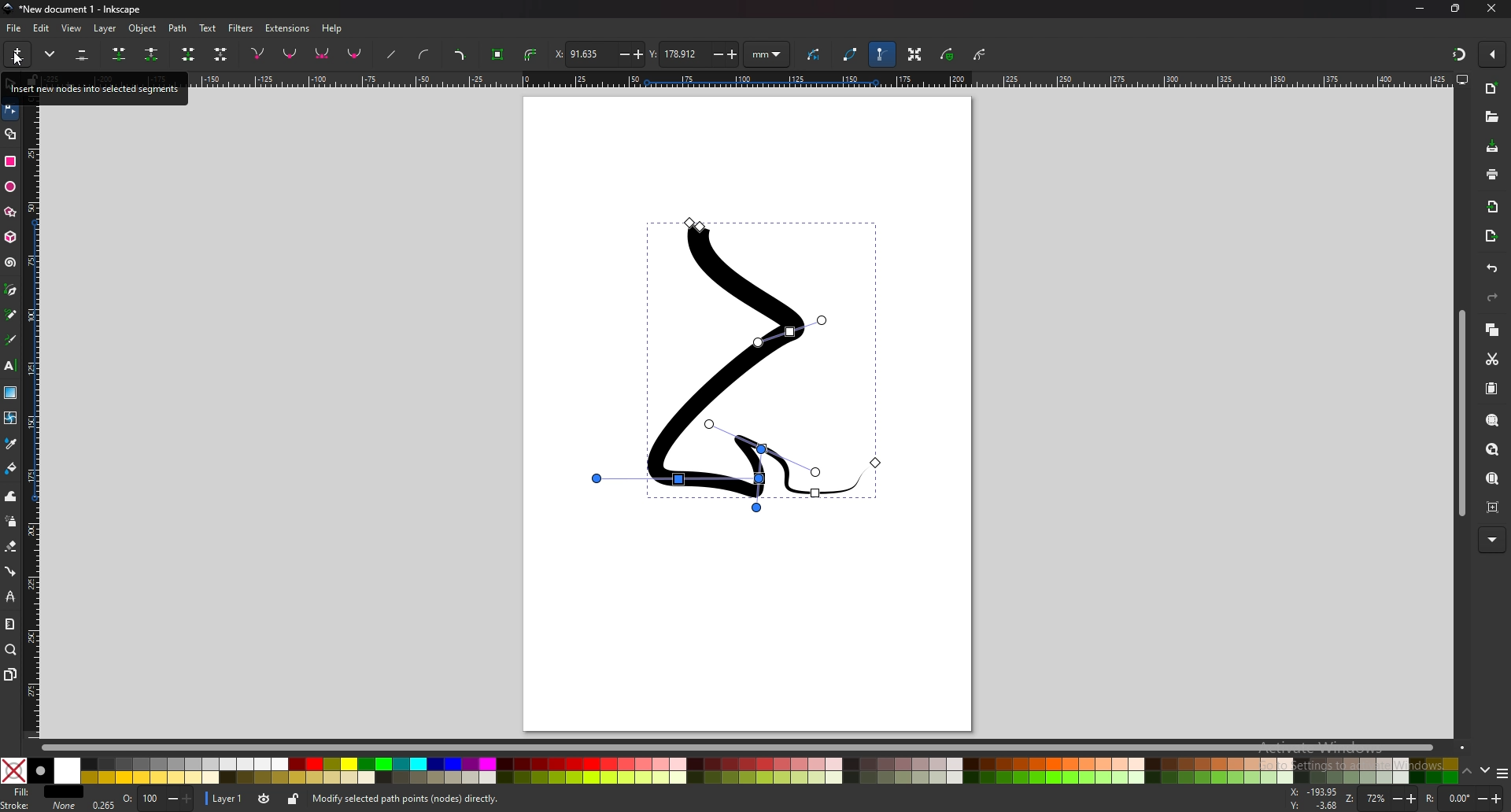  Describe the element at coordinates (34, 416) in the screenshot. I see `vertical scale` at that location.